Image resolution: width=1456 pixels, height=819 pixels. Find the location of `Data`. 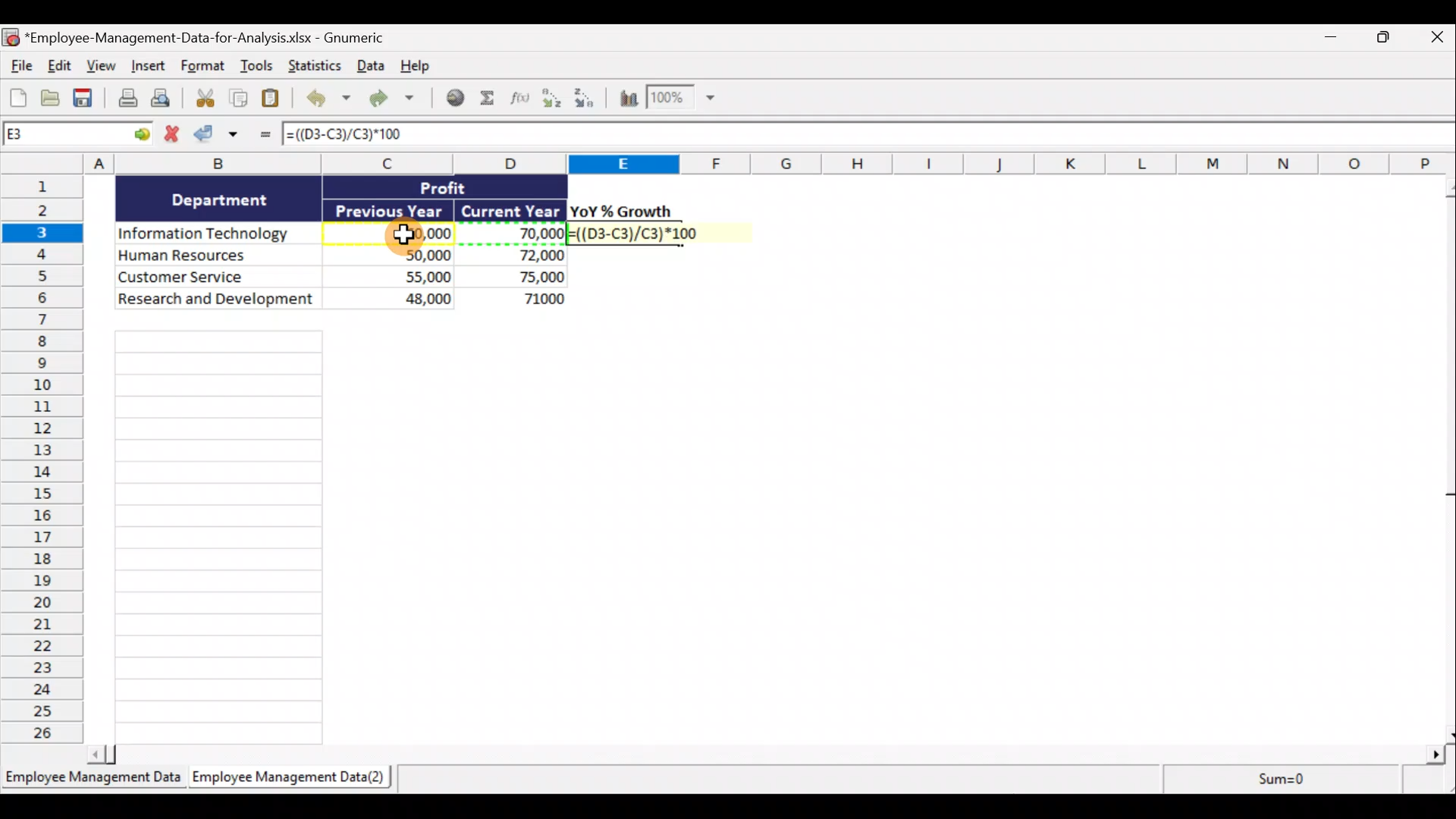

Data is located at coordinates (342, 242).